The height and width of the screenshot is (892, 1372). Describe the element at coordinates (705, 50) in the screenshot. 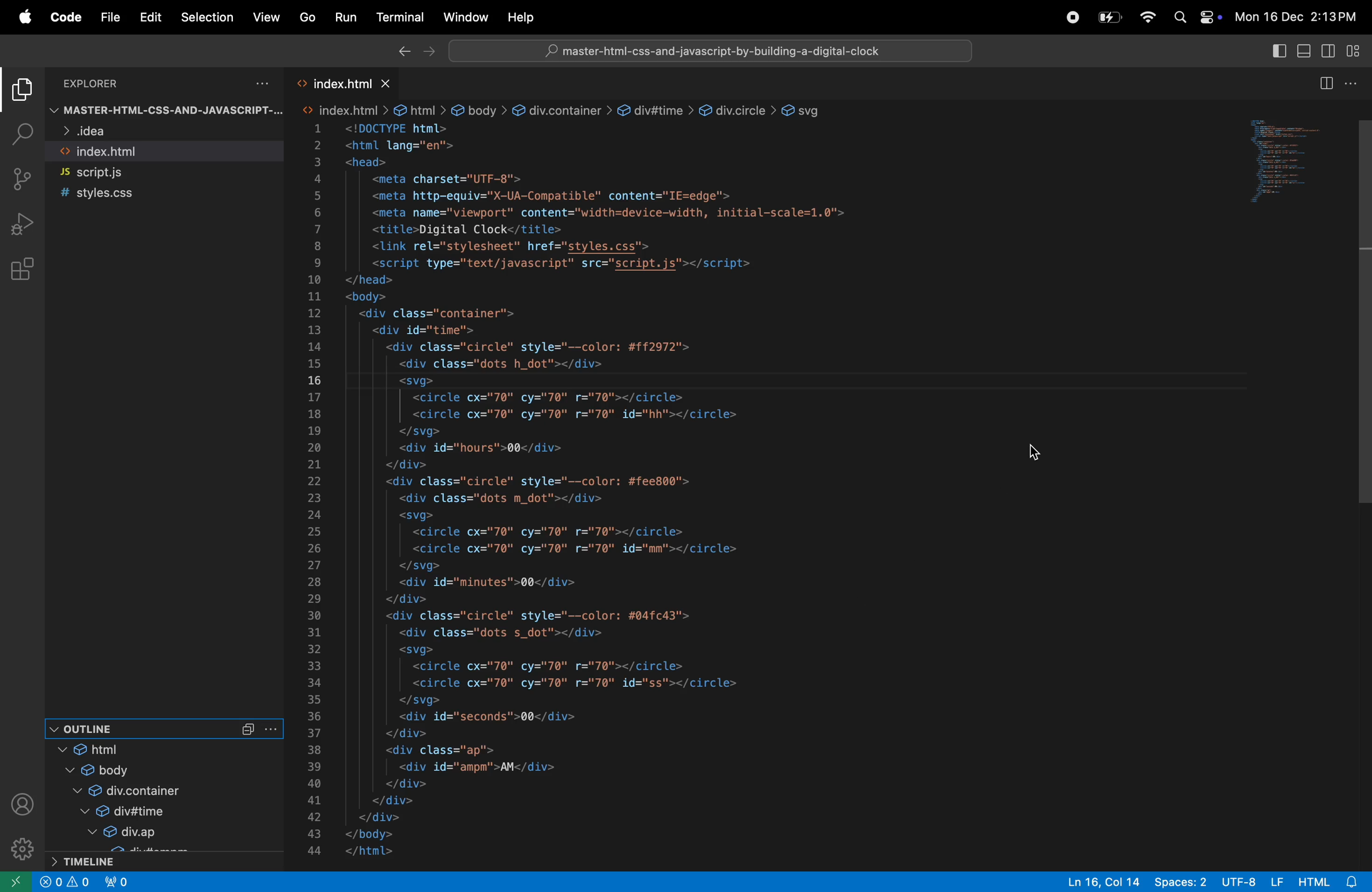

I see `workspace search bar` at that location.